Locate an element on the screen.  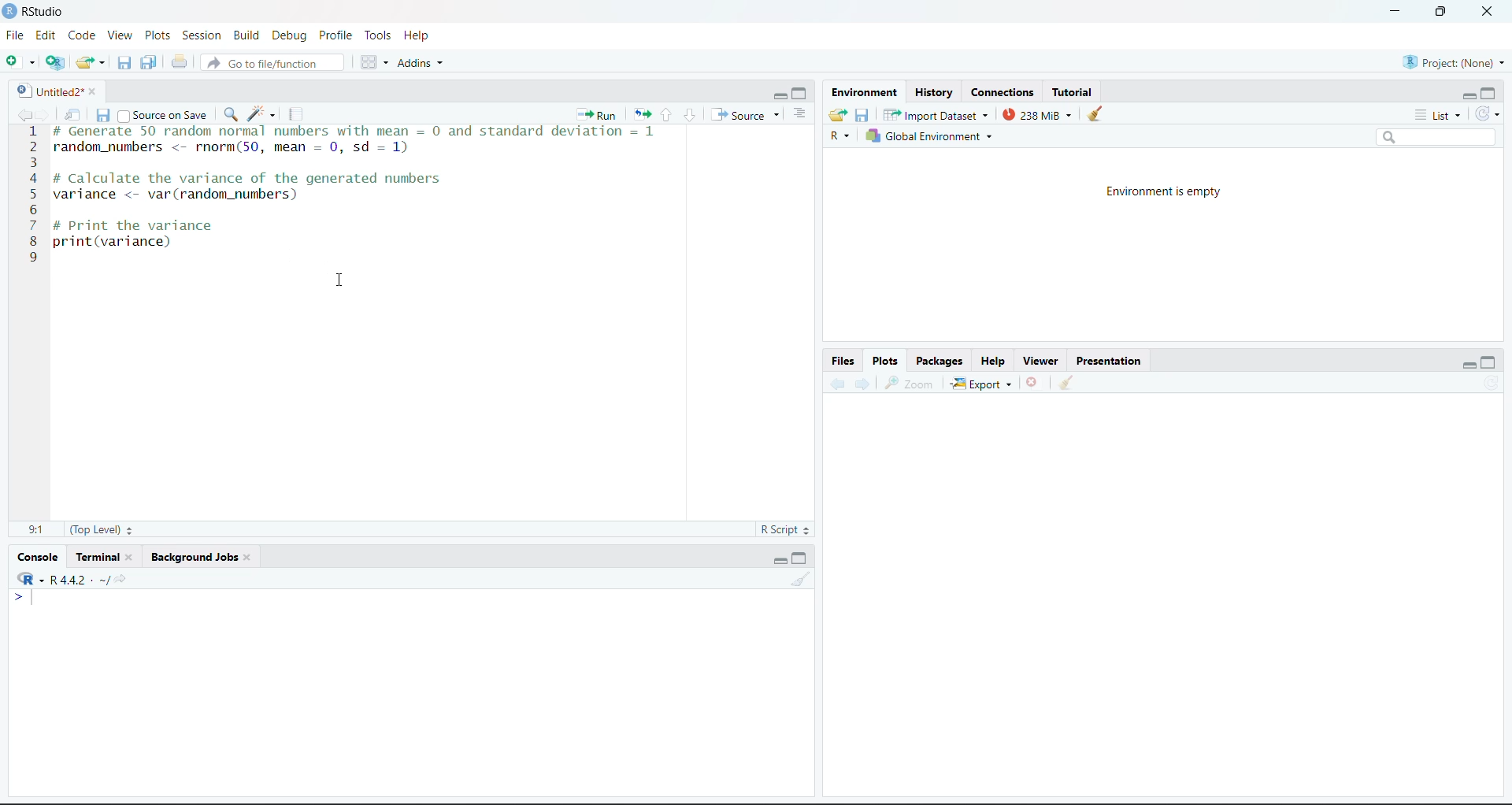
View is located at coordinates (121, 35).